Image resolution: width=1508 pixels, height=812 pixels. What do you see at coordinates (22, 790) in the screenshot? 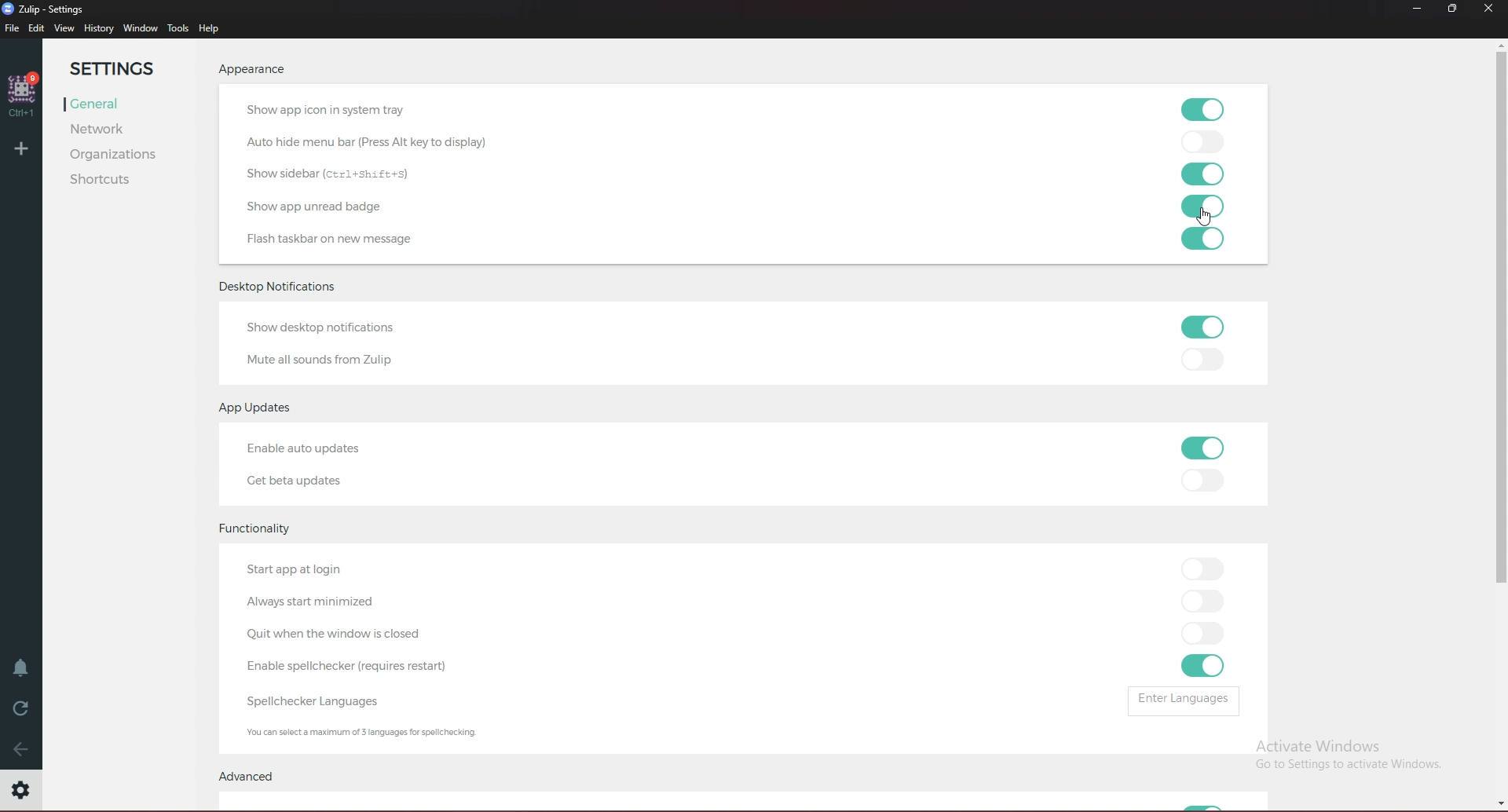
I see `Settings` at bounding box center [22, 790].